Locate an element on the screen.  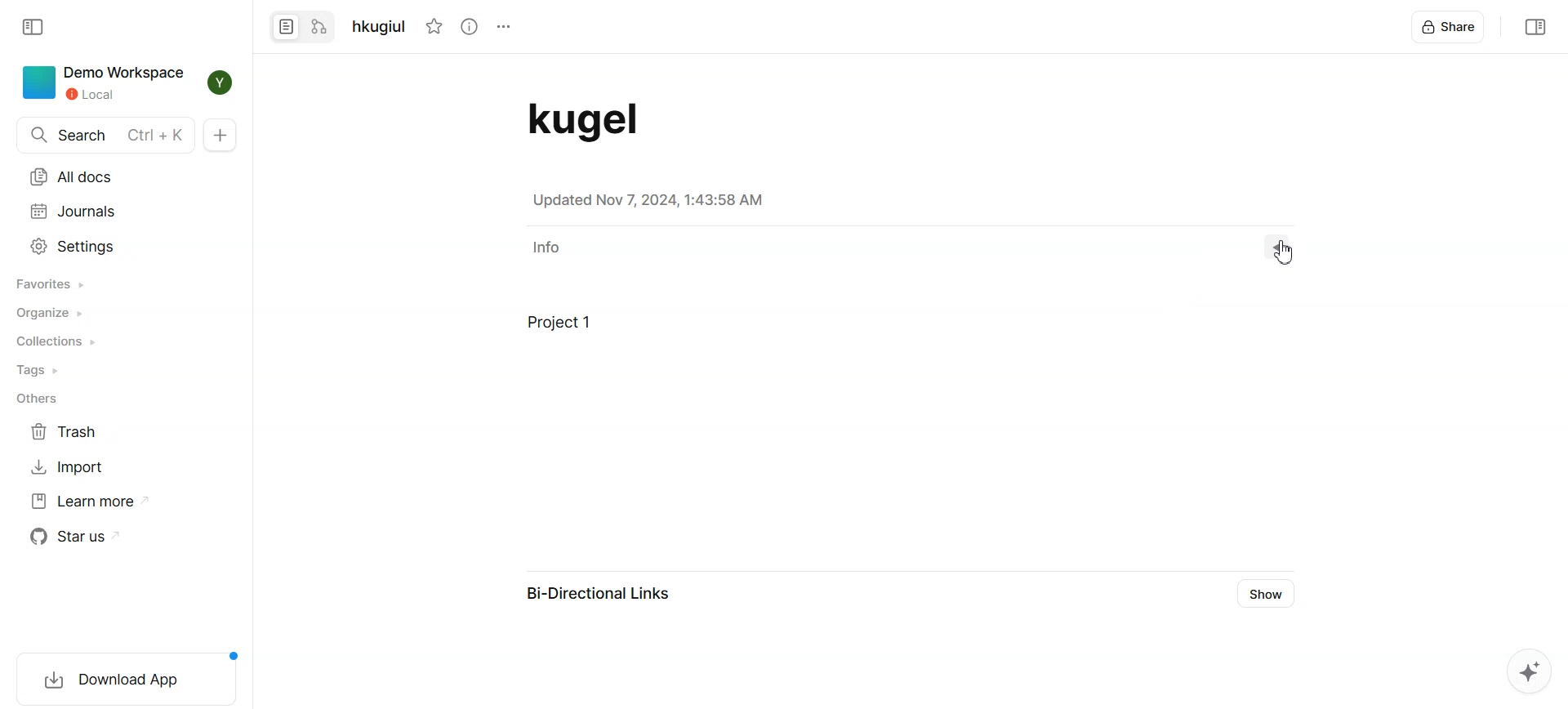
Favorites is located at coordinates (49, 284).